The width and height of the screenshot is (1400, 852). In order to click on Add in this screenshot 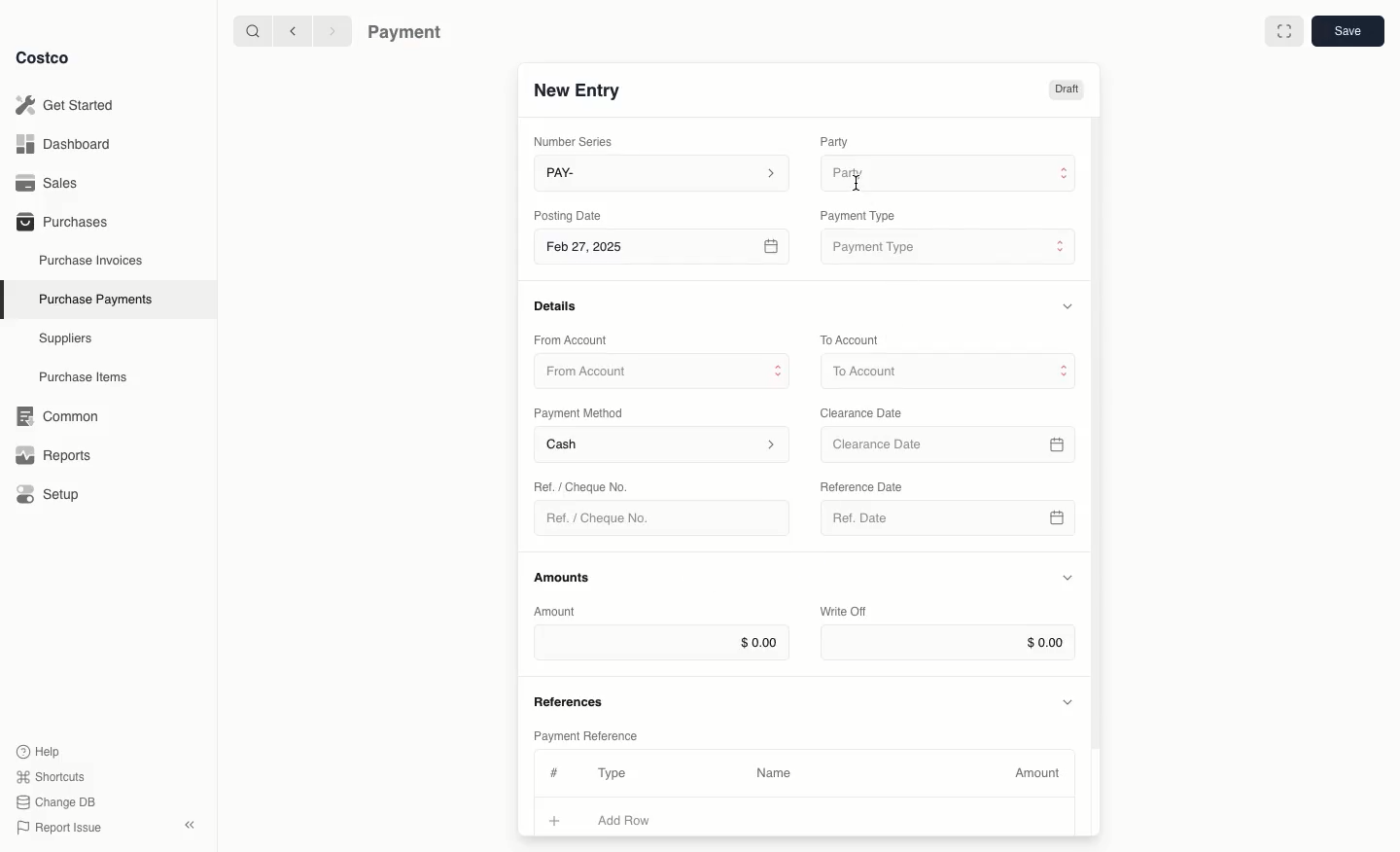, I will do `click(555, 818)`.